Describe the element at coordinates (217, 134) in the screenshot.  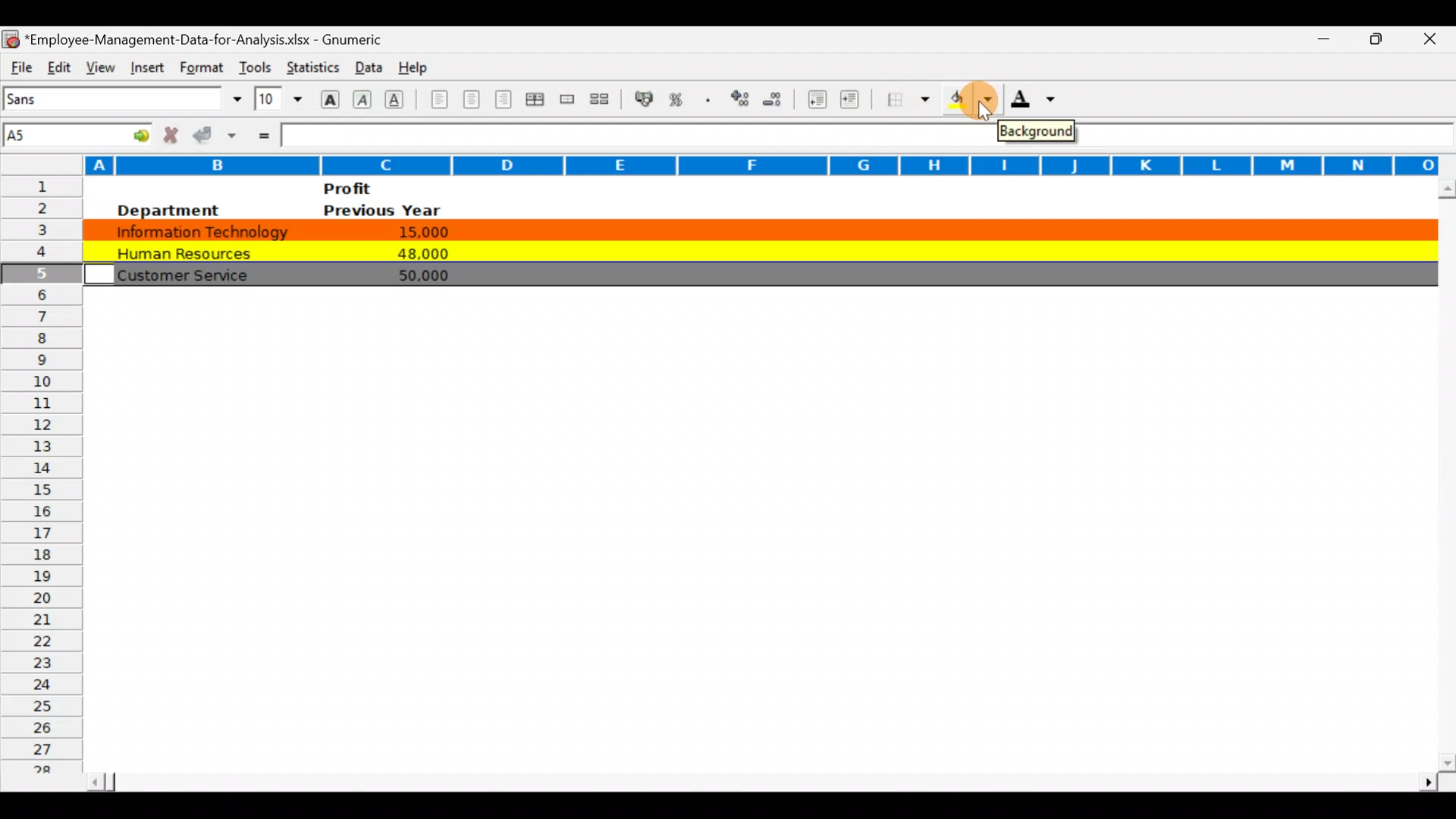
I see `Accept change` at that location.